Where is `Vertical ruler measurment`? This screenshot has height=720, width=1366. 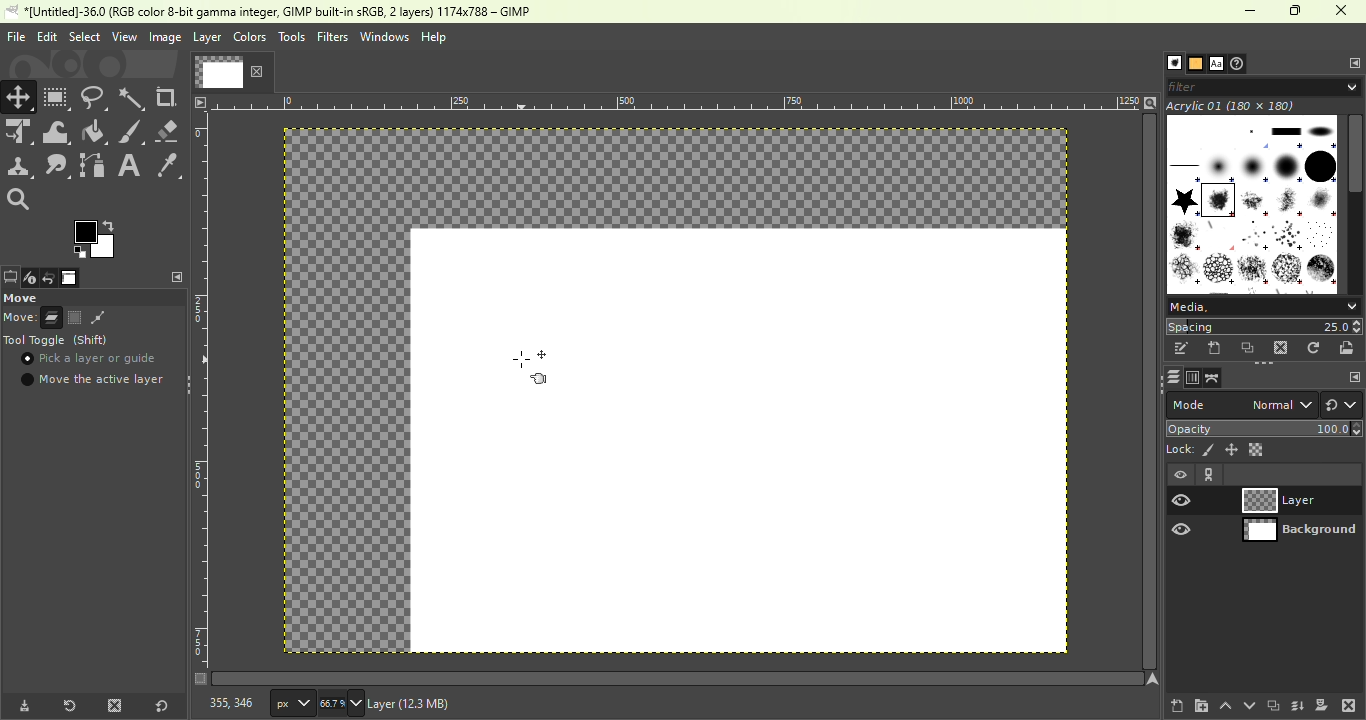
Vertical ruler measurment is located at coordinates (200, 398).